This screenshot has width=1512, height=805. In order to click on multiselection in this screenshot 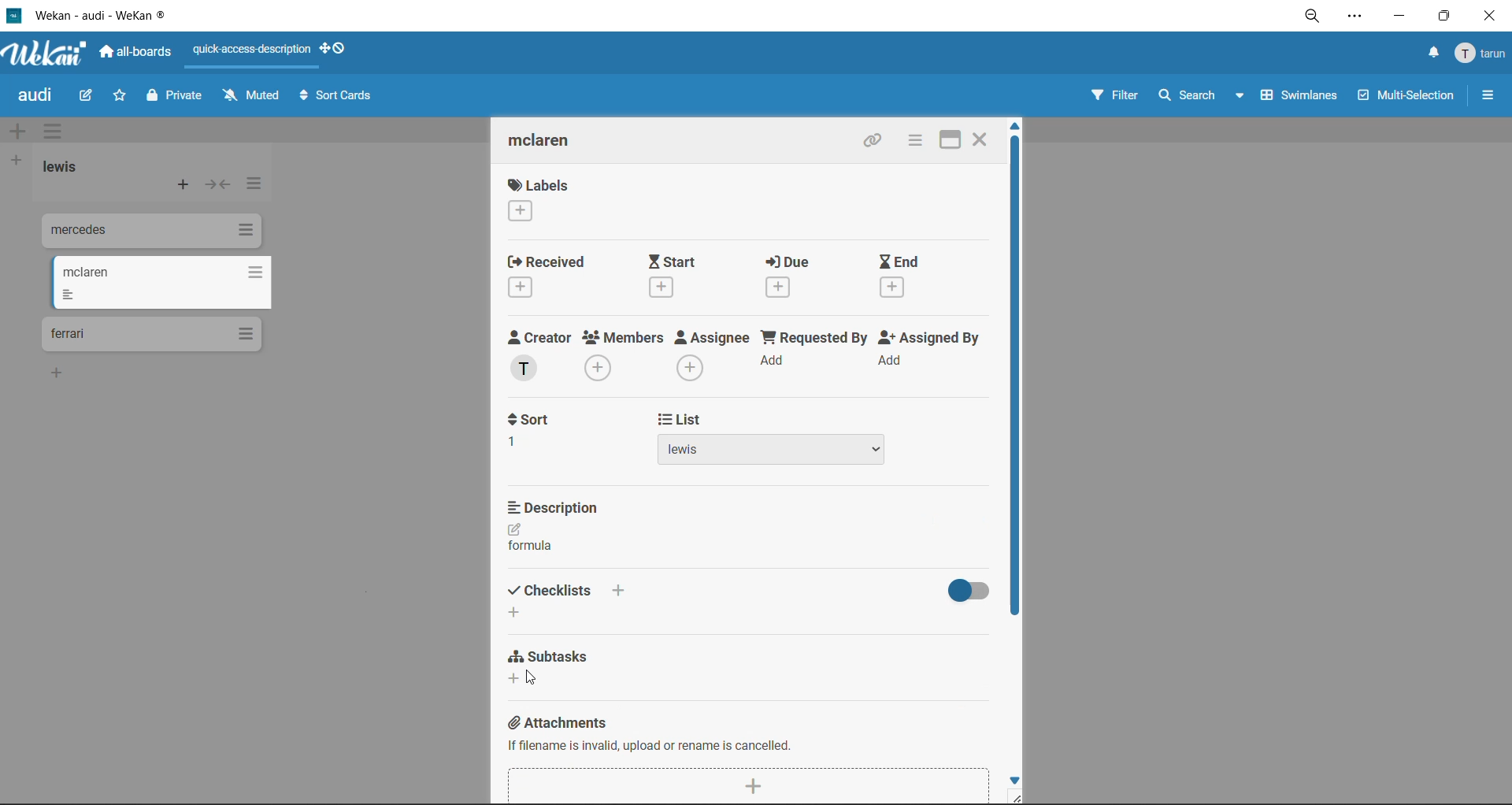, I will do `click(1403, 97)`.